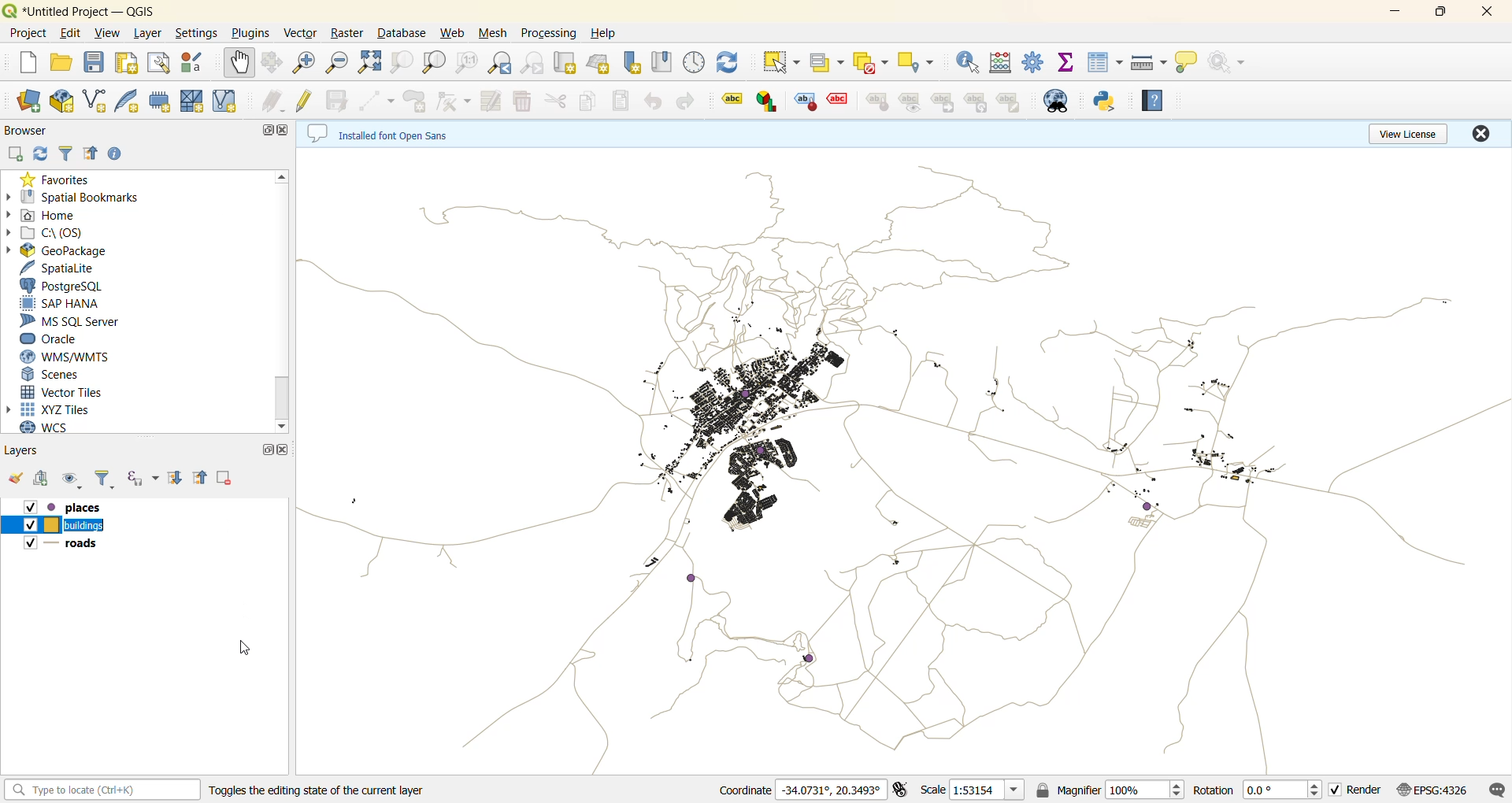 This screenshot has width=1512, height=803. Describe the element at coordinates (61, 268) in the screenshot. I see `spatialite` at that location.